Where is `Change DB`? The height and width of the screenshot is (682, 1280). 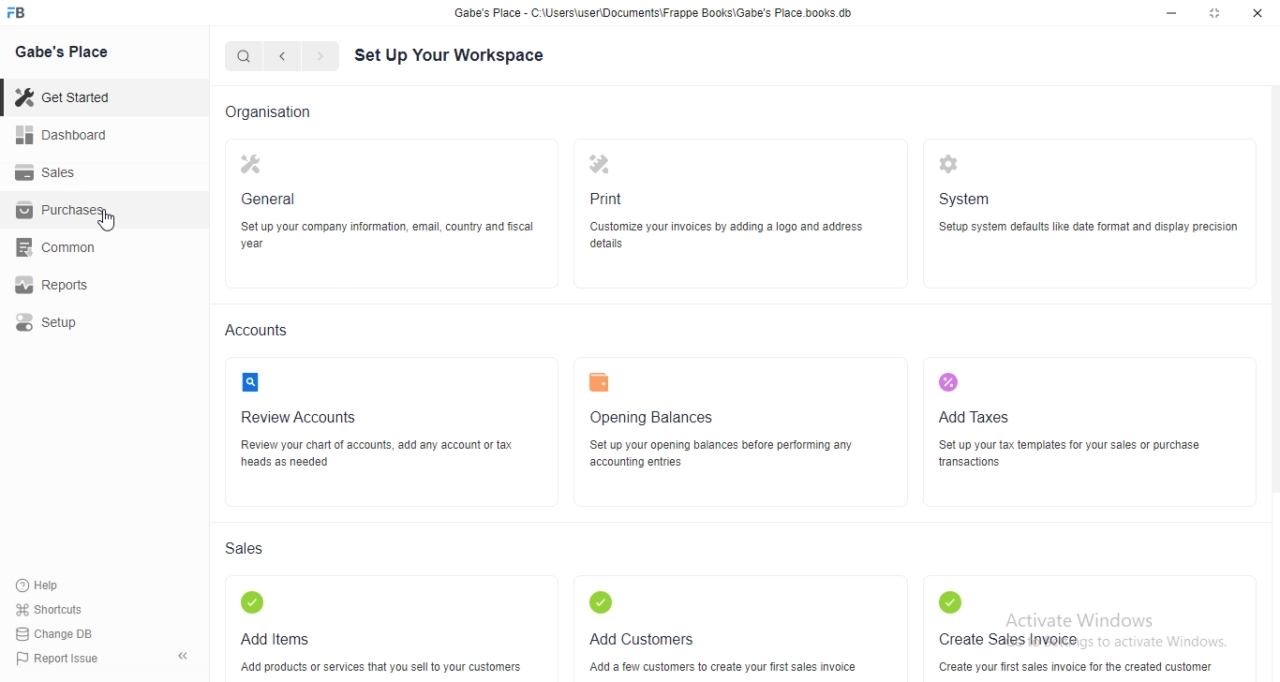
Change DB is located at coordinates (54, 634).